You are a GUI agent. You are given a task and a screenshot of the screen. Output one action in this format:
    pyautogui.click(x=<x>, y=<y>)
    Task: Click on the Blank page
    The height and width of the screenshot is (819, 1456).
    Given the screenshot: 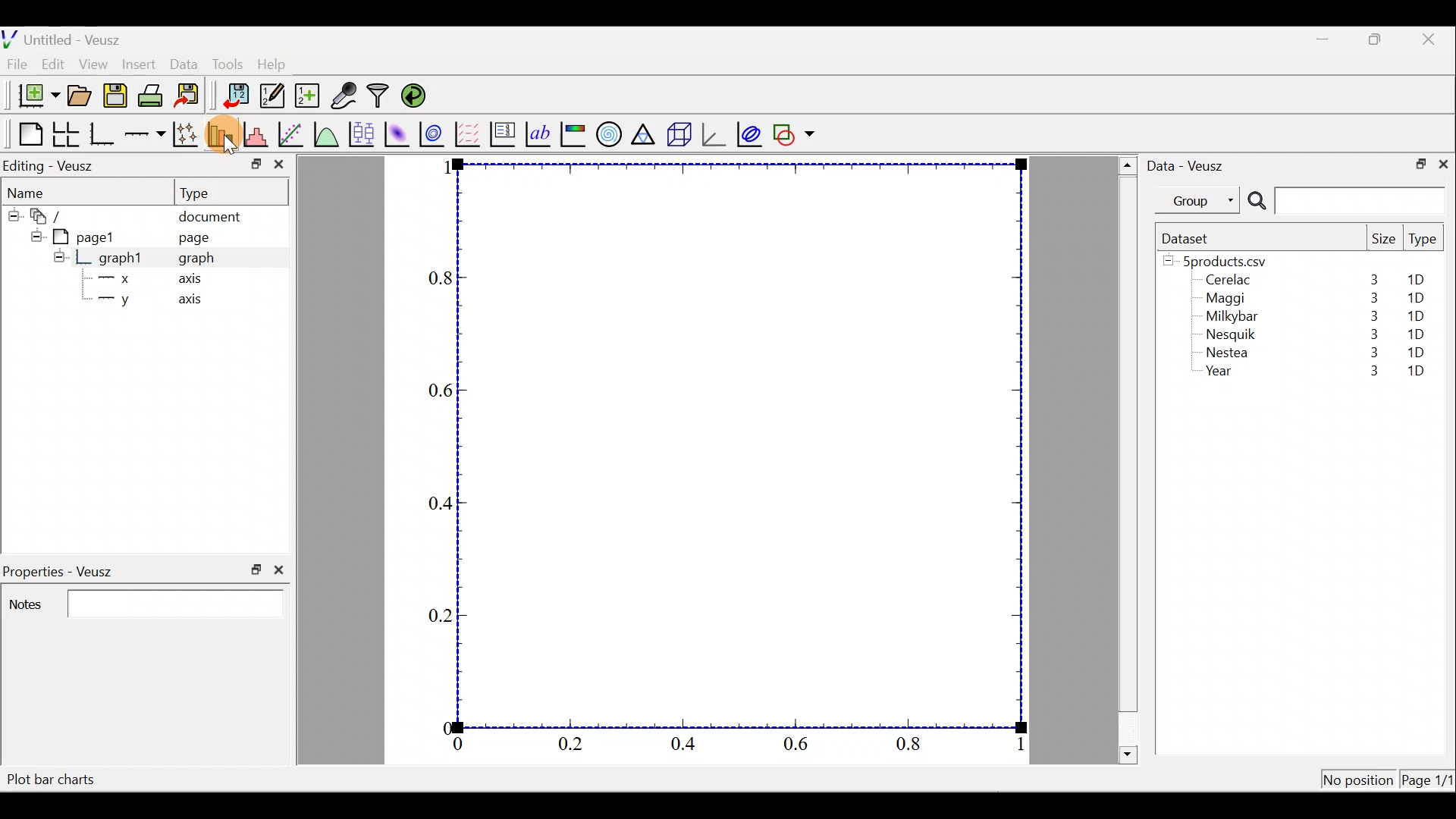 What is the action you would take?
    pyautogui.click(x=27, y=134)
    